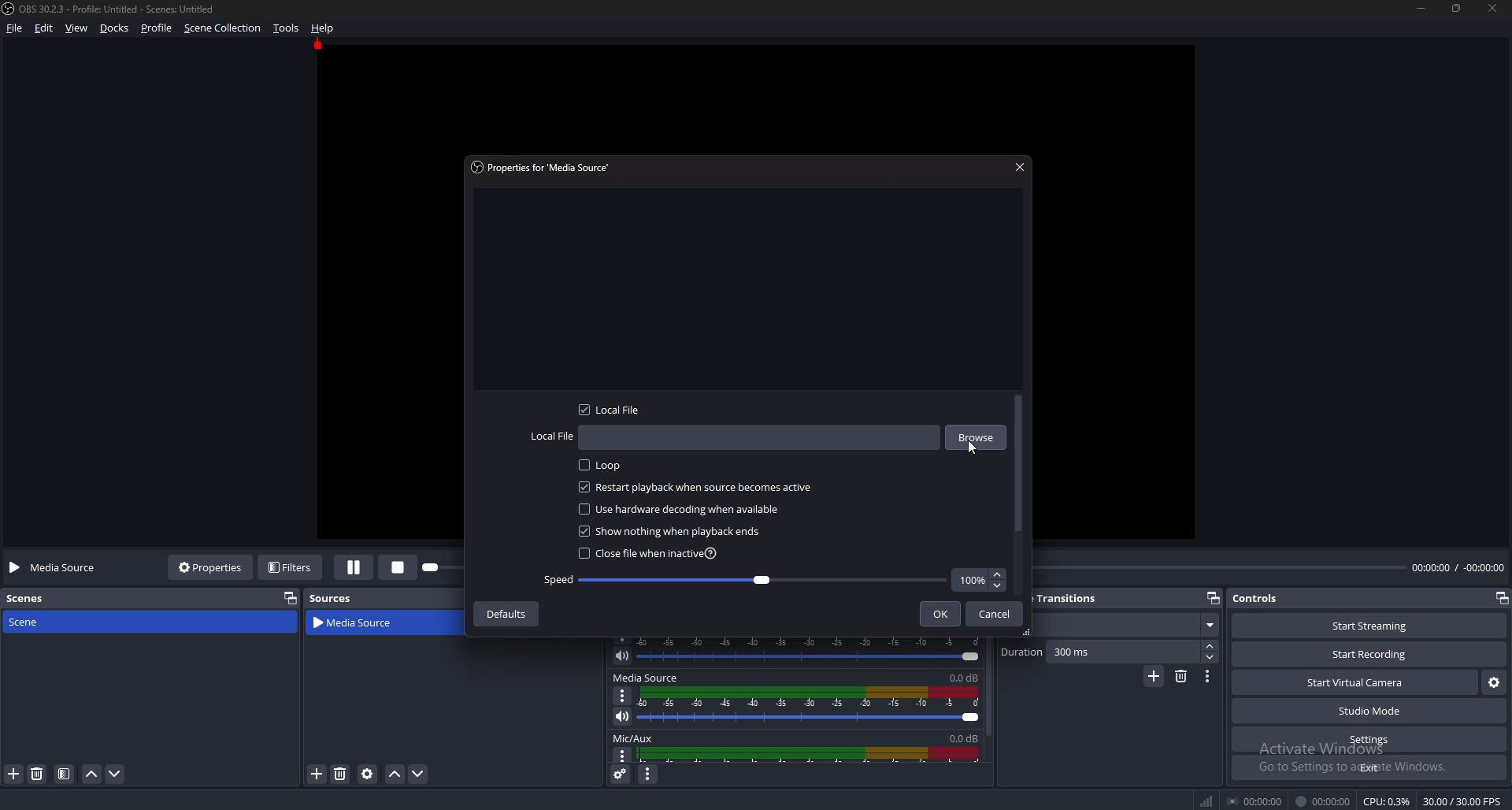 This screenshot has height=810, width=1512. I want to click on pause, so click(354, 567).